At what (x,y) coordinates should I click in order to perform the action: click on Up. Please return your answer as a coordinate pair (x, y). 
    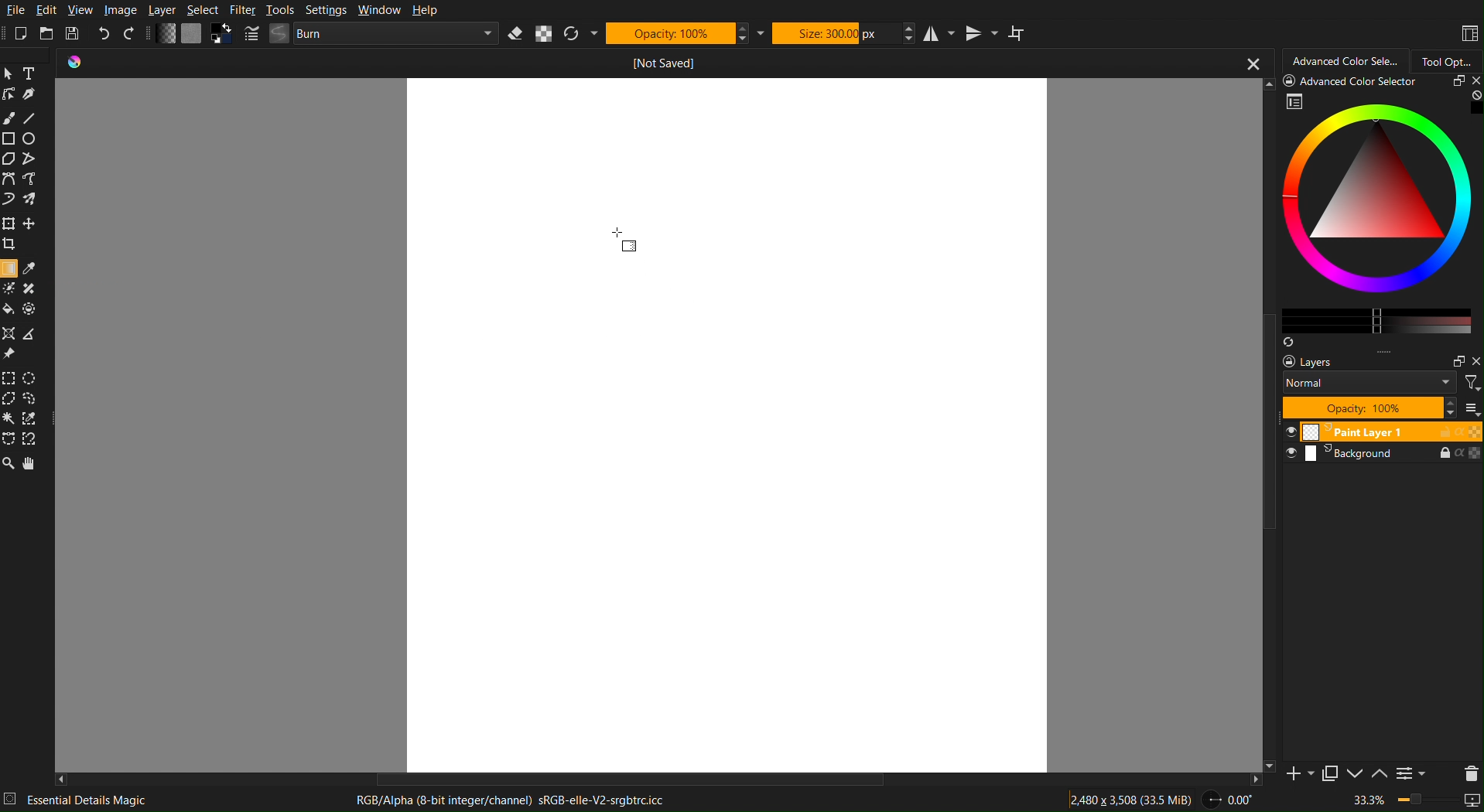
    Looking at the image, I should click on (1378, 775).